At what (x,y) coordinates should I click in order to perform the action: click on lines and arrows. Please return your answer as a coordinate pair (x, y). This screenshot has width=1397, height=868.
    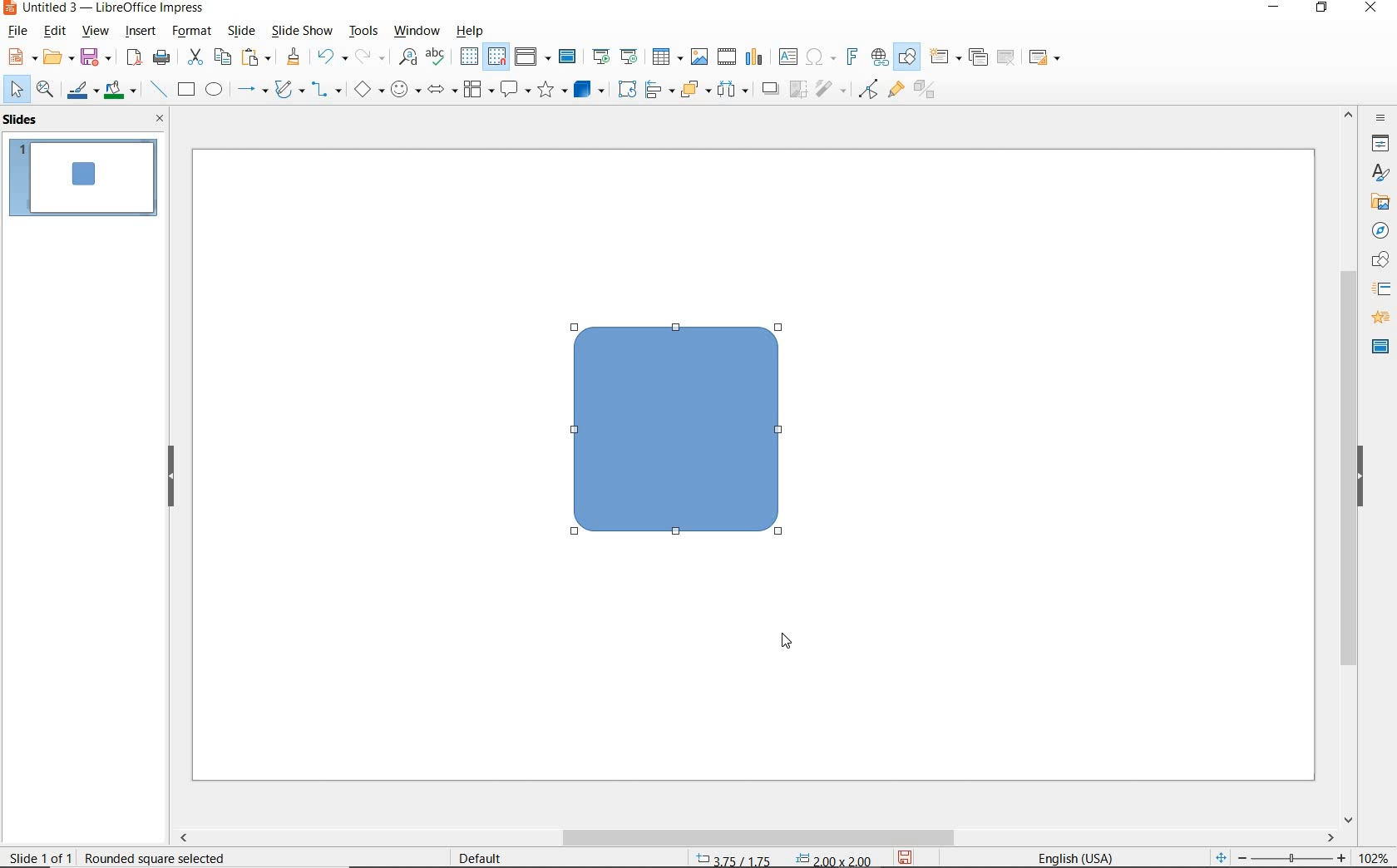
    Looking at the image, I should click on (251, 90).